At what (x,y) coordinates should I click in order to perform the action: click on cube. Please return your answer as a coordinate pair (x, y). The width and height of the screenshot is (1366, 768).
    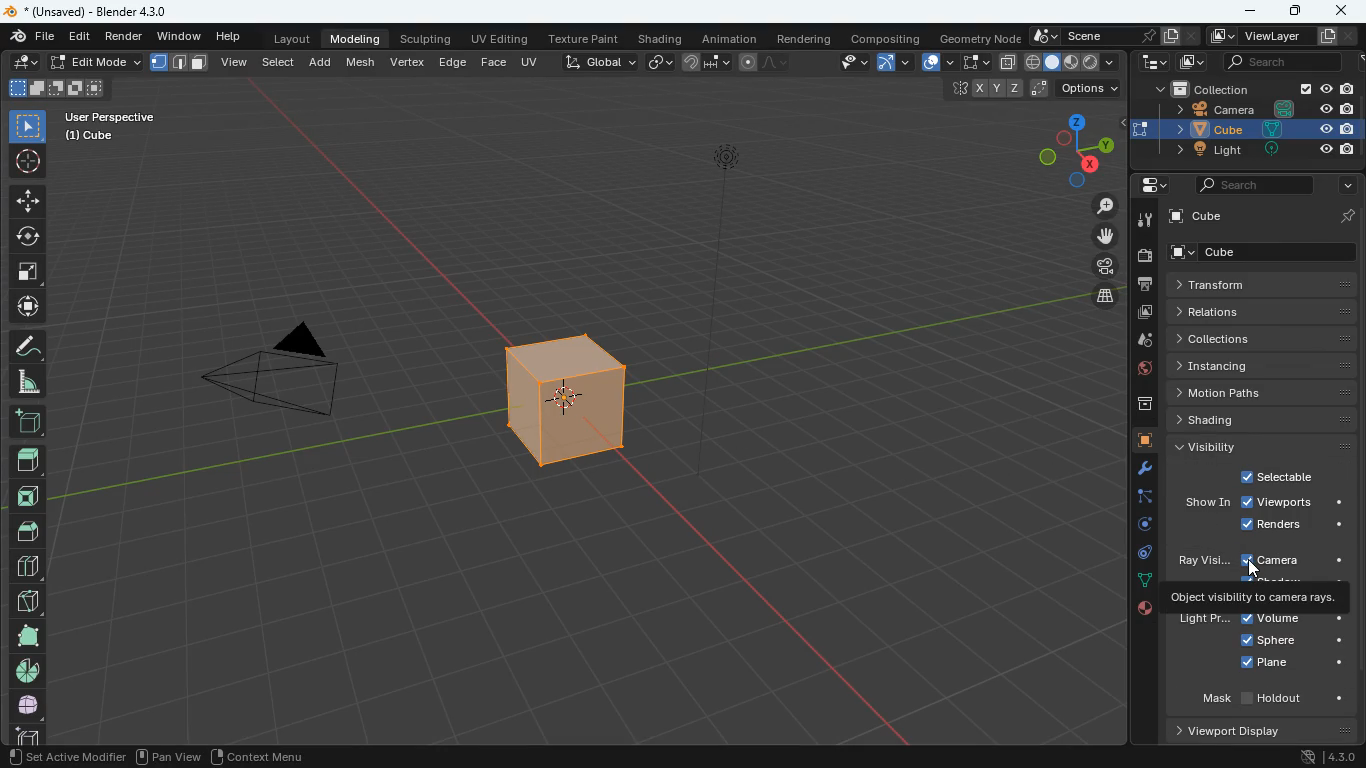
    Looking at the image, I should click on (551, 404).